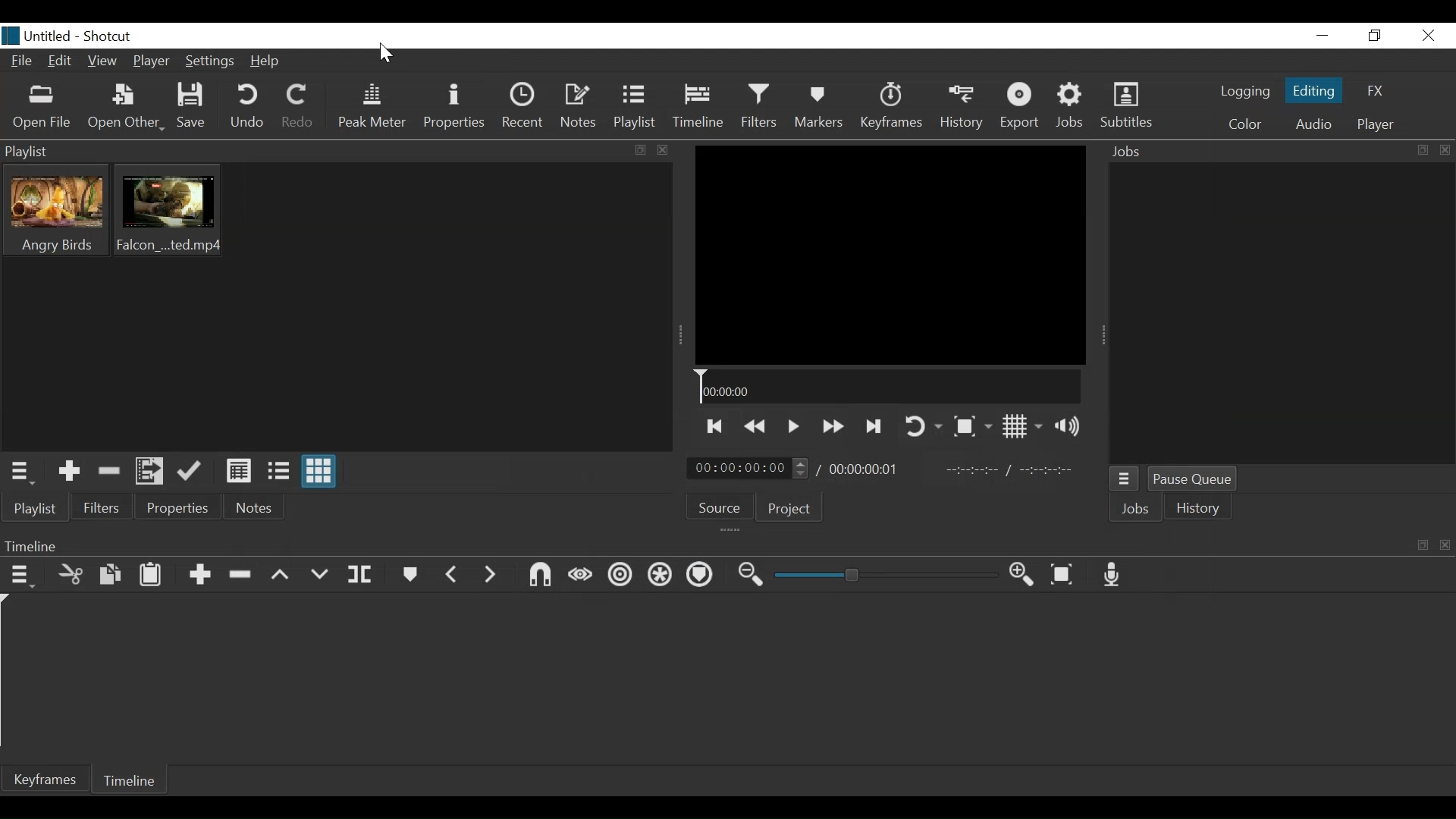  I want to click on Zoom Timeline to fit, so click(1065, 575).